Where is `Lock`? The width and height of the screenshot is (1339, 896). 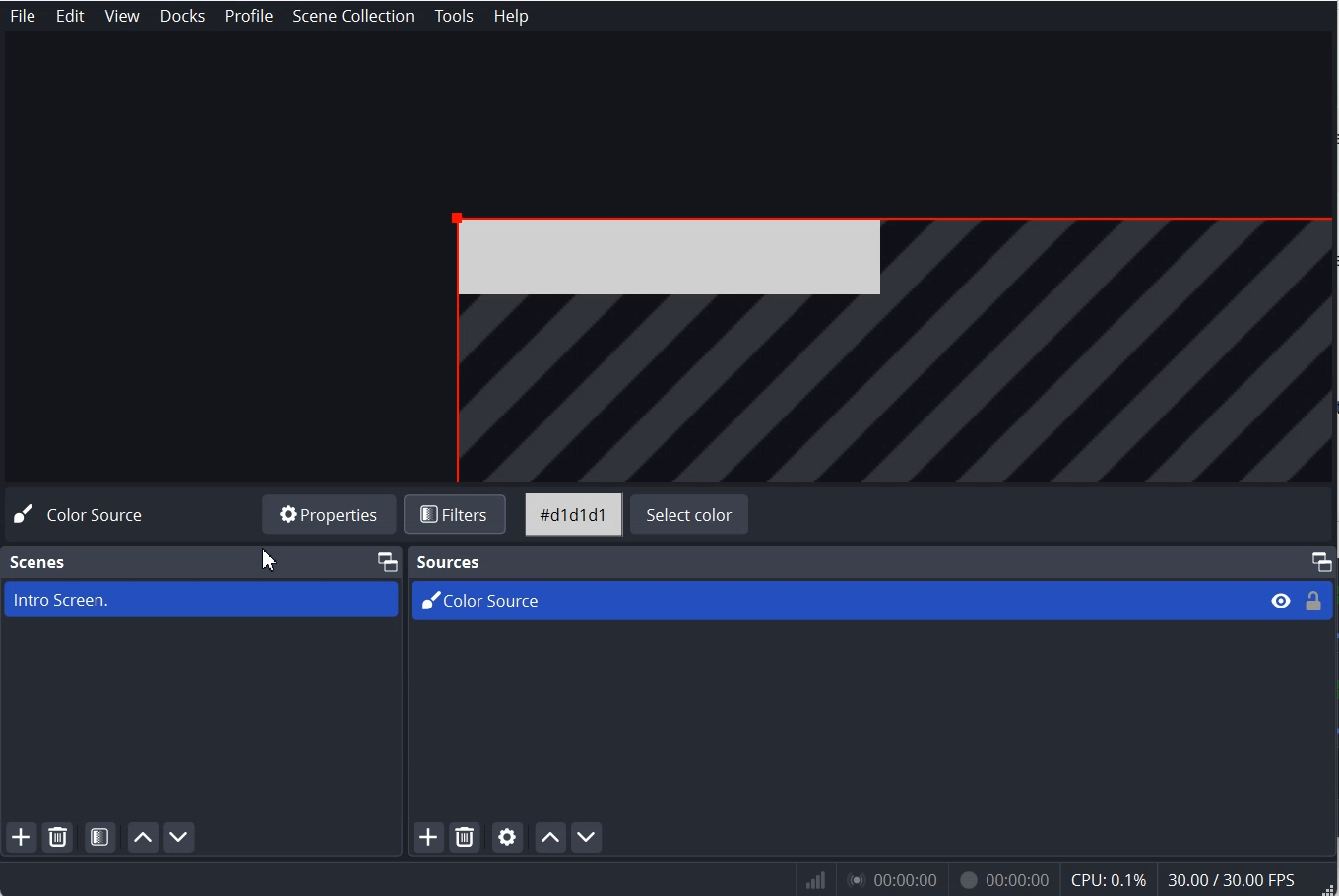
Lock is located at coordinates (1313, 601).